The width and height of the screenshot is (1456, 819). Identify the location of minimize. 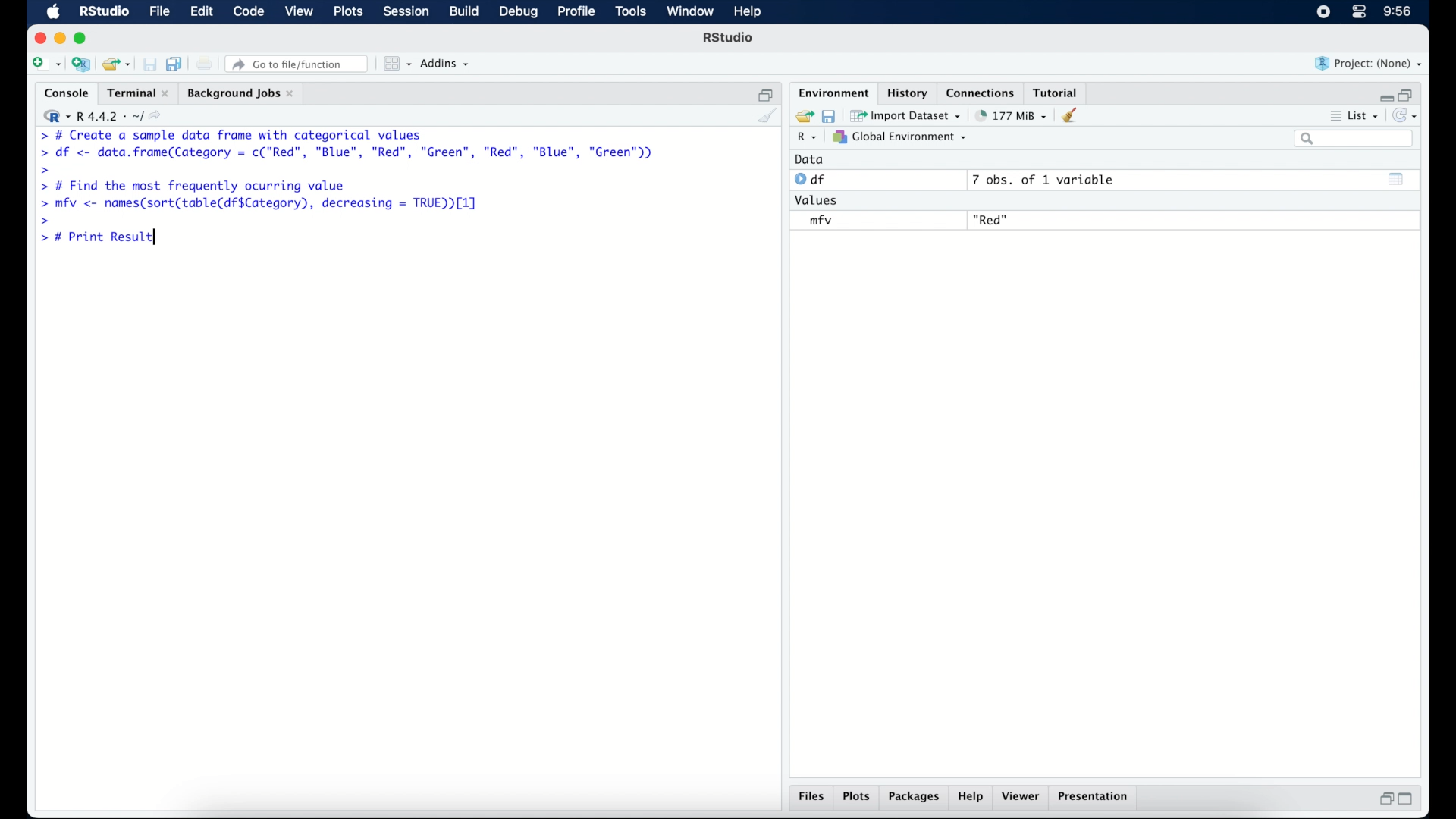
(1383, 95).